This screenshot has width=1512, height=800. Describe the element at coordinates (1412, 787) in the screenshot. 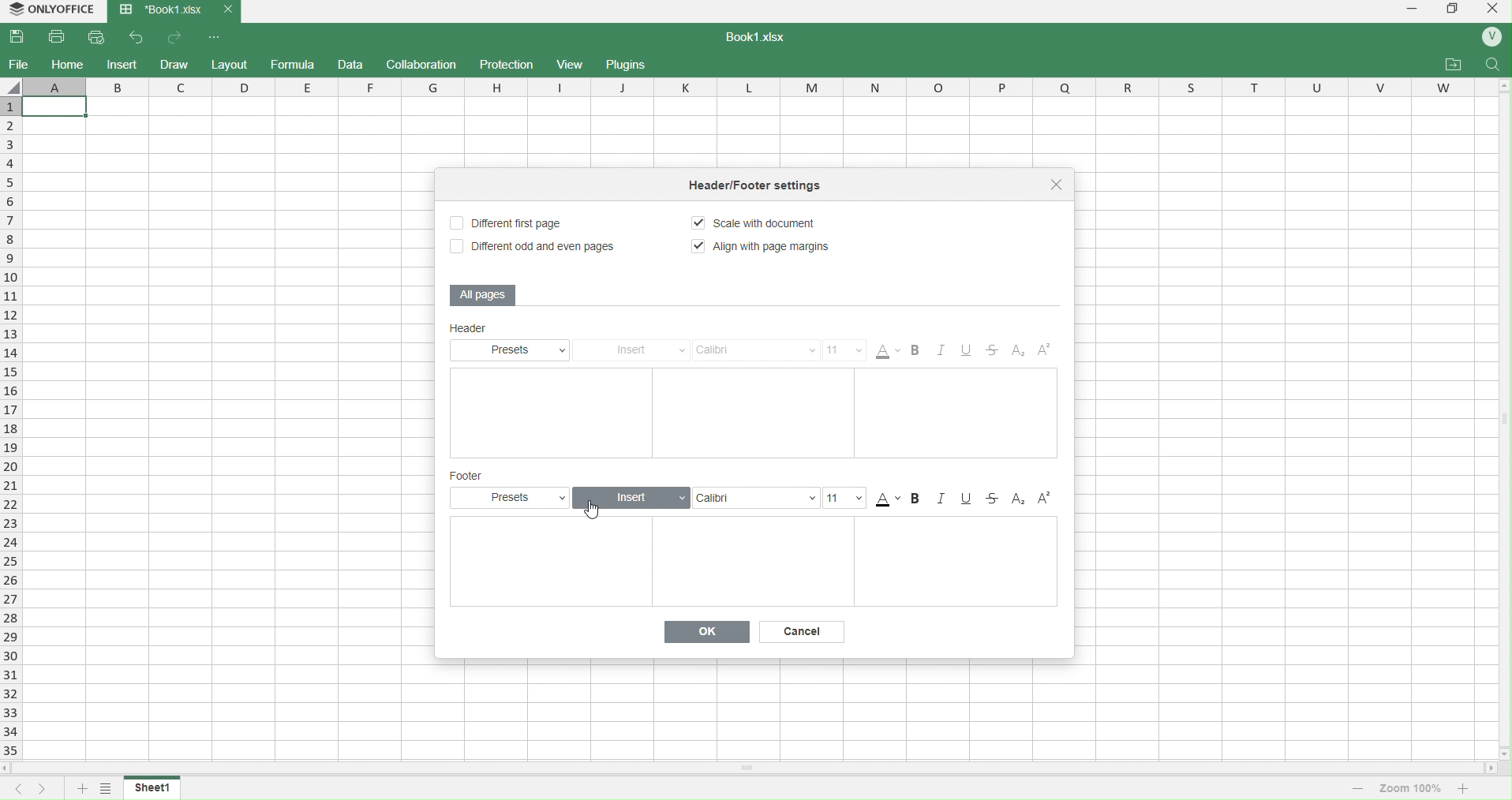

I see `zoom 100%` at that location.